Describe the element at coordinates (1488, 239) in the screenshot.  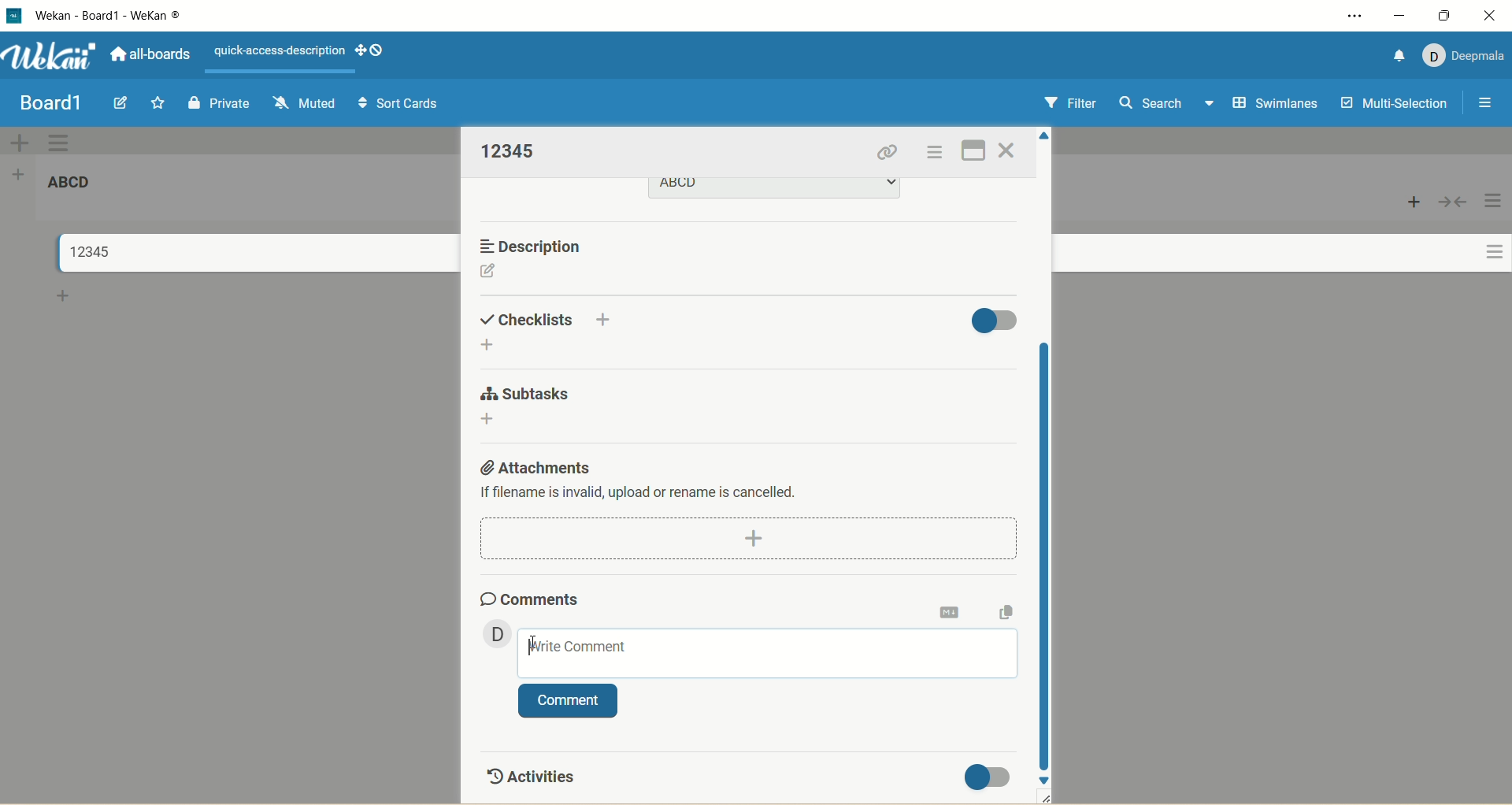
I see `actions` at that location.